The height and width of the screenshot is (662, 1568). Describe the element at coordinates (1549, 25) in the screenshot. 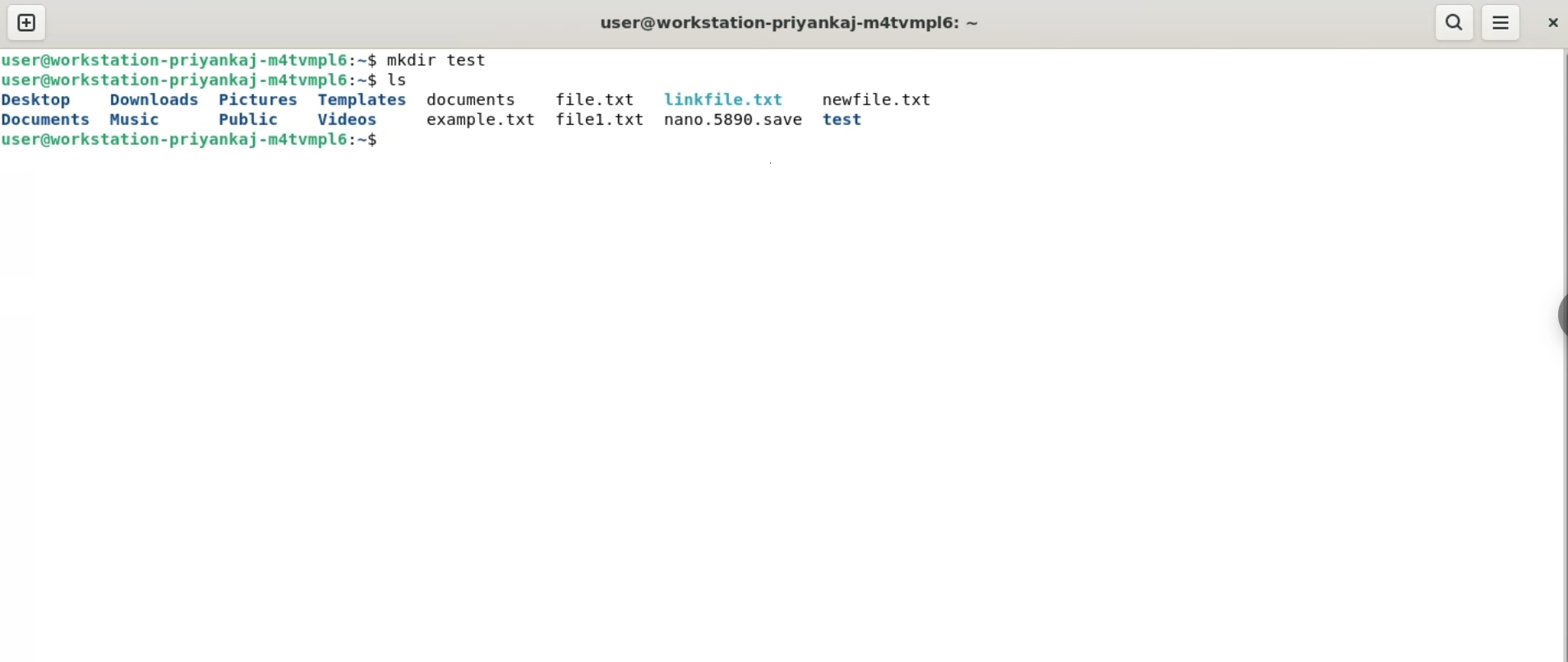

I see `close` at that location.